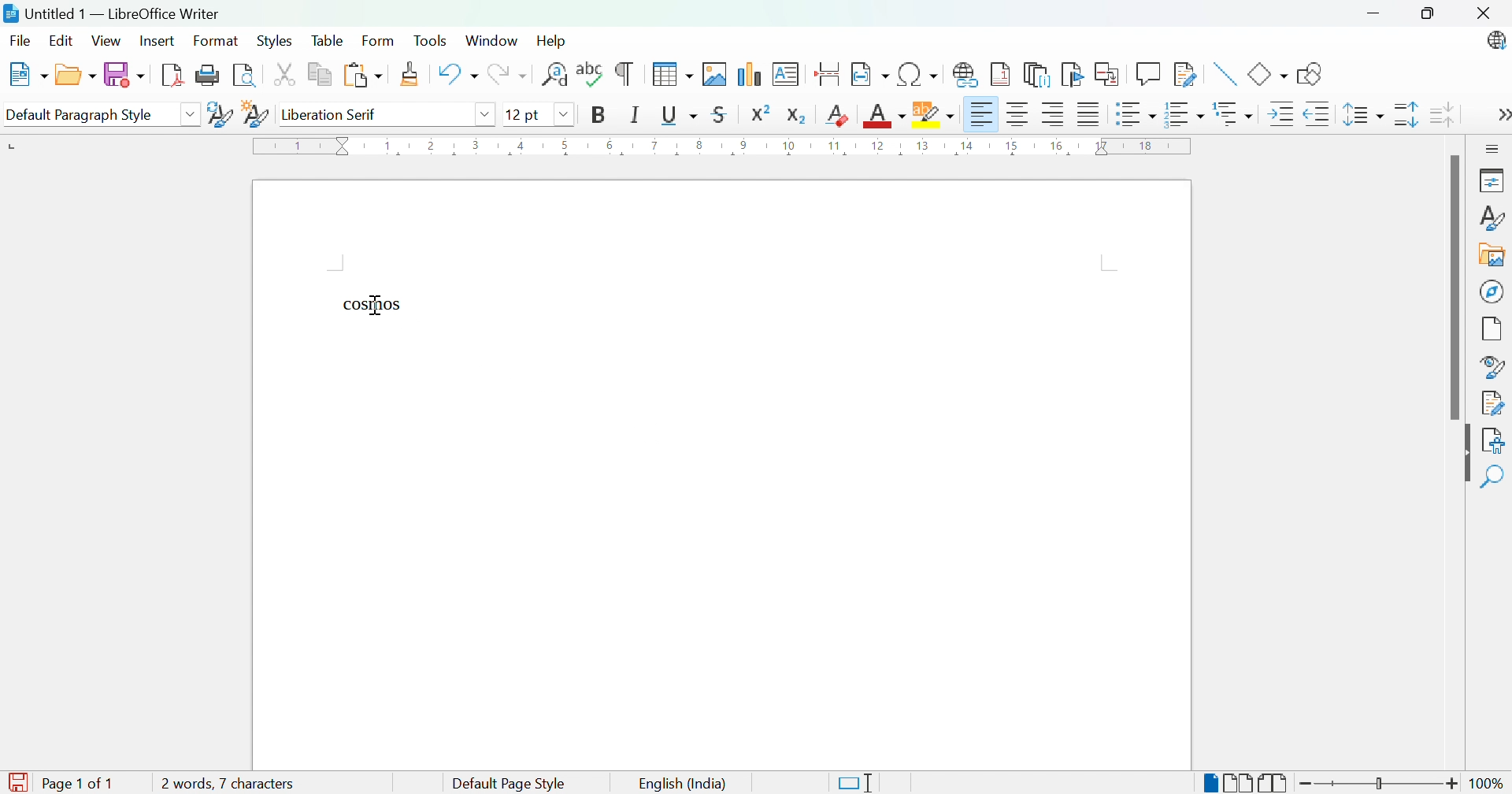  What do you see at coordinates (1280, 115) in the screenshot?
I see `Increase indent` at bounding box center [1280, 115].